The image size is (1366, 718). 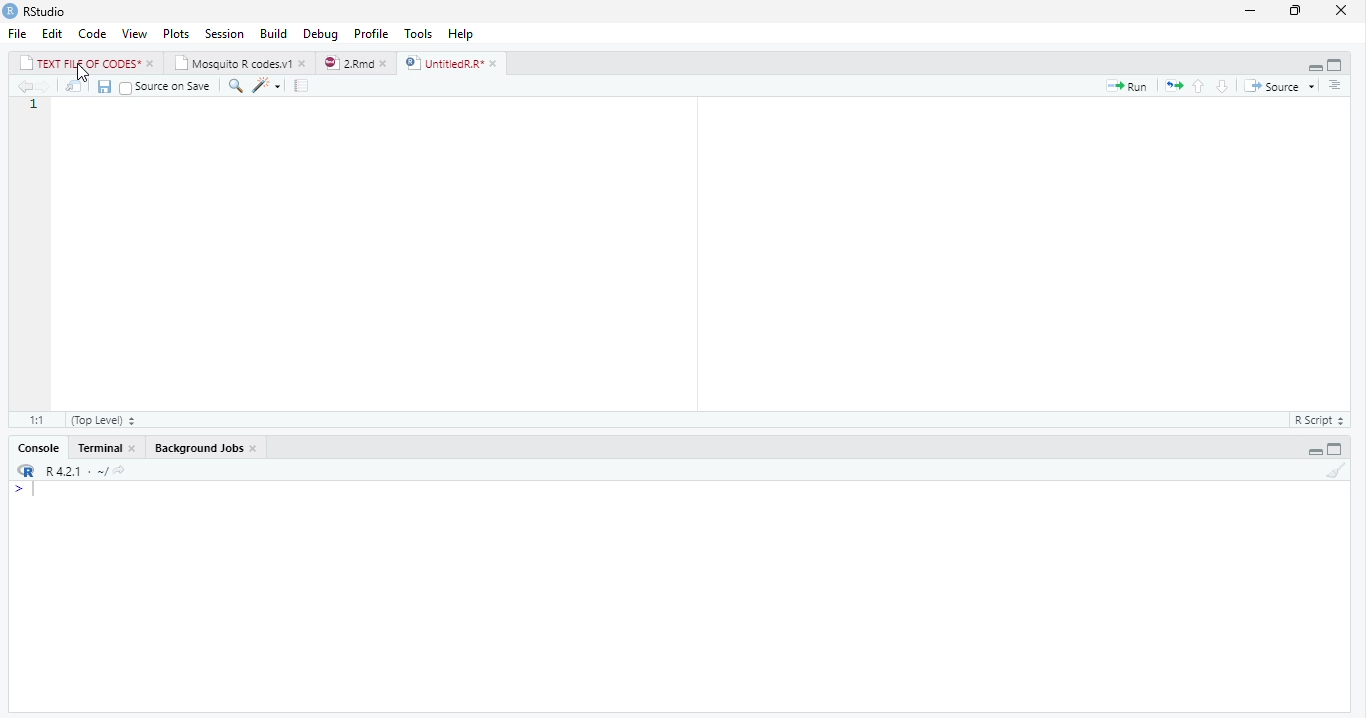 I want to click on Console, so click(x=41, y=449).